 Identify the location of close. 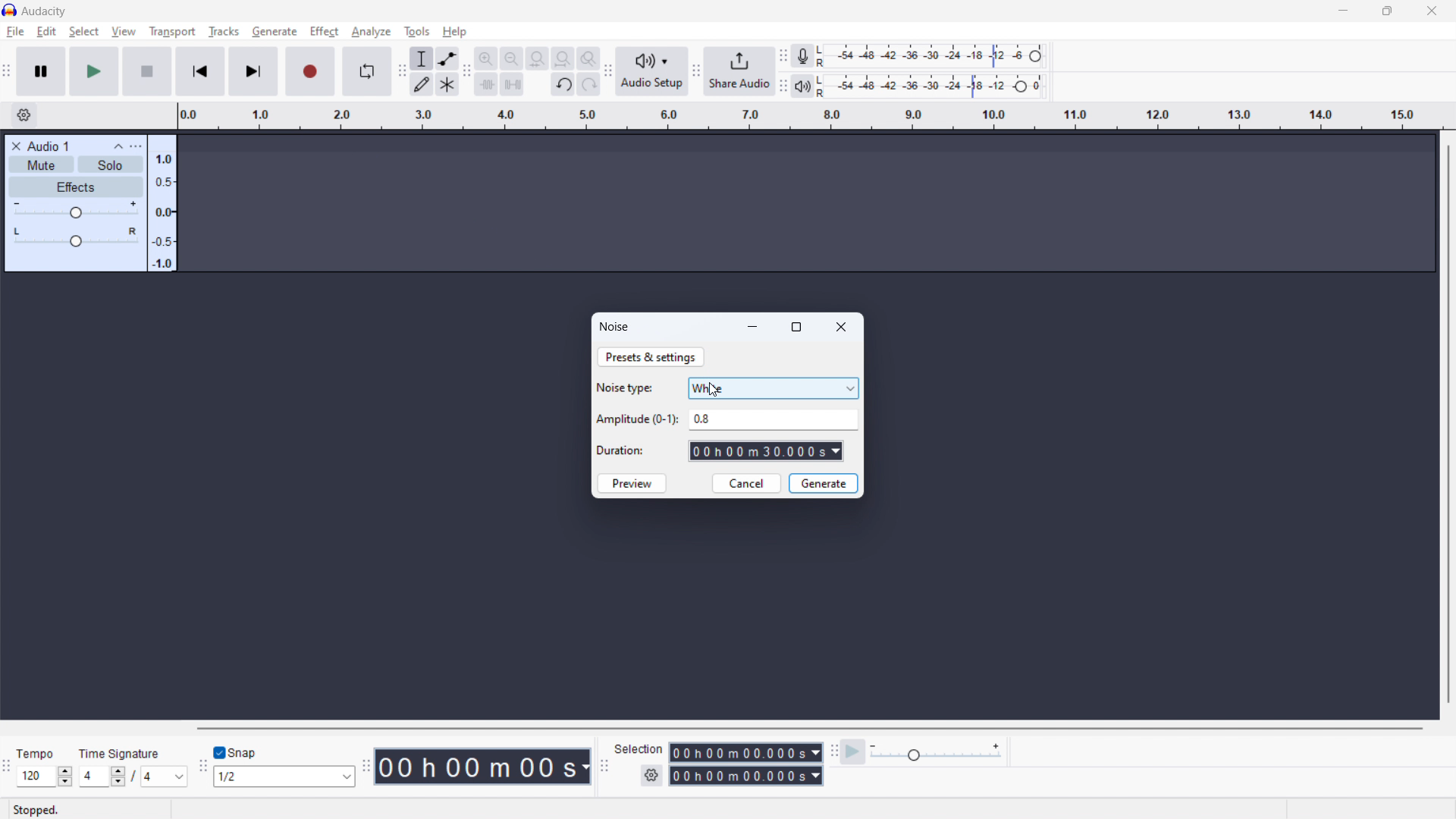
(1431, 11).